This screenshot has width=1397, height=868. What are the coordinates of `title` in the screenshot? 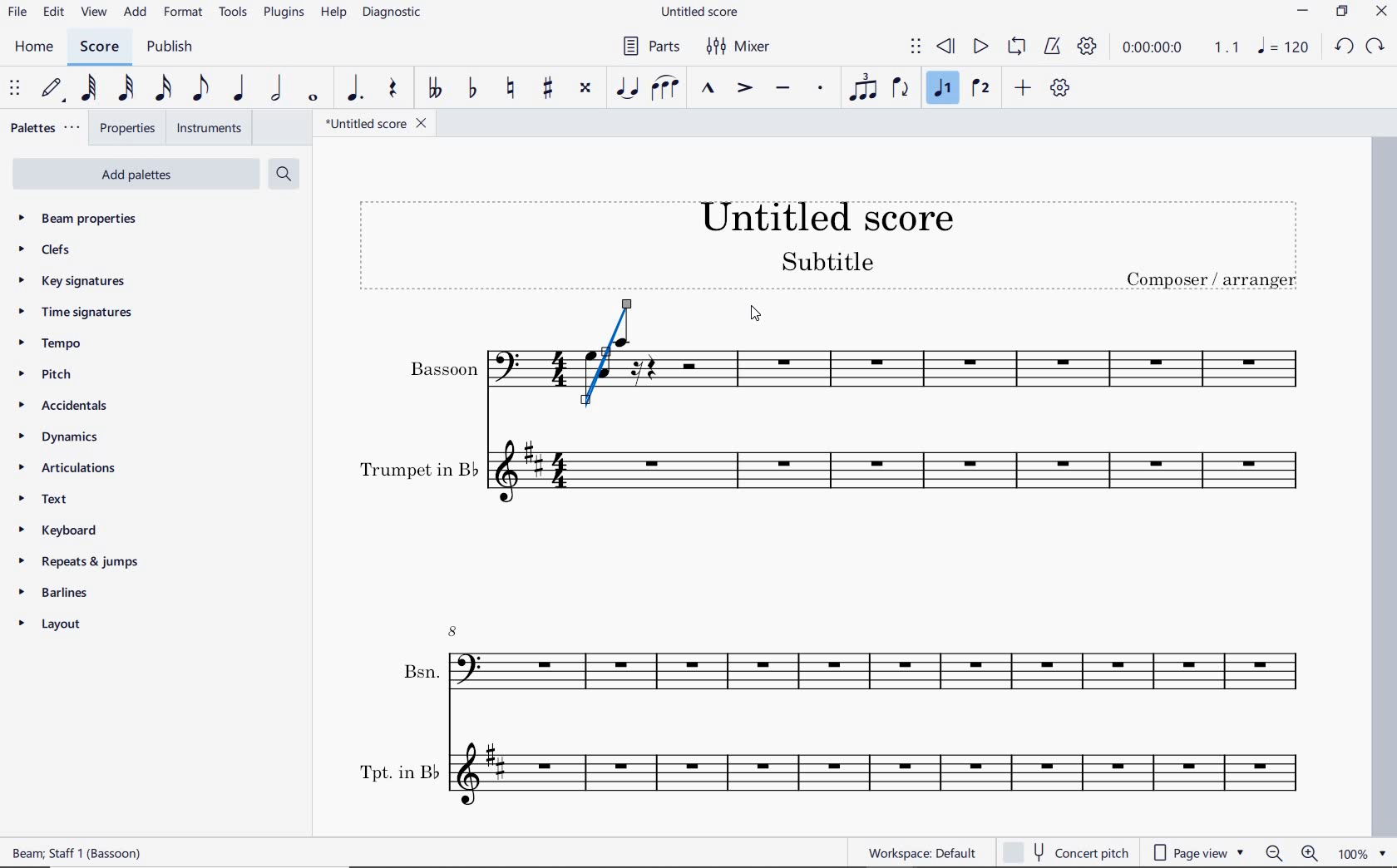 It's located at (835, 239).